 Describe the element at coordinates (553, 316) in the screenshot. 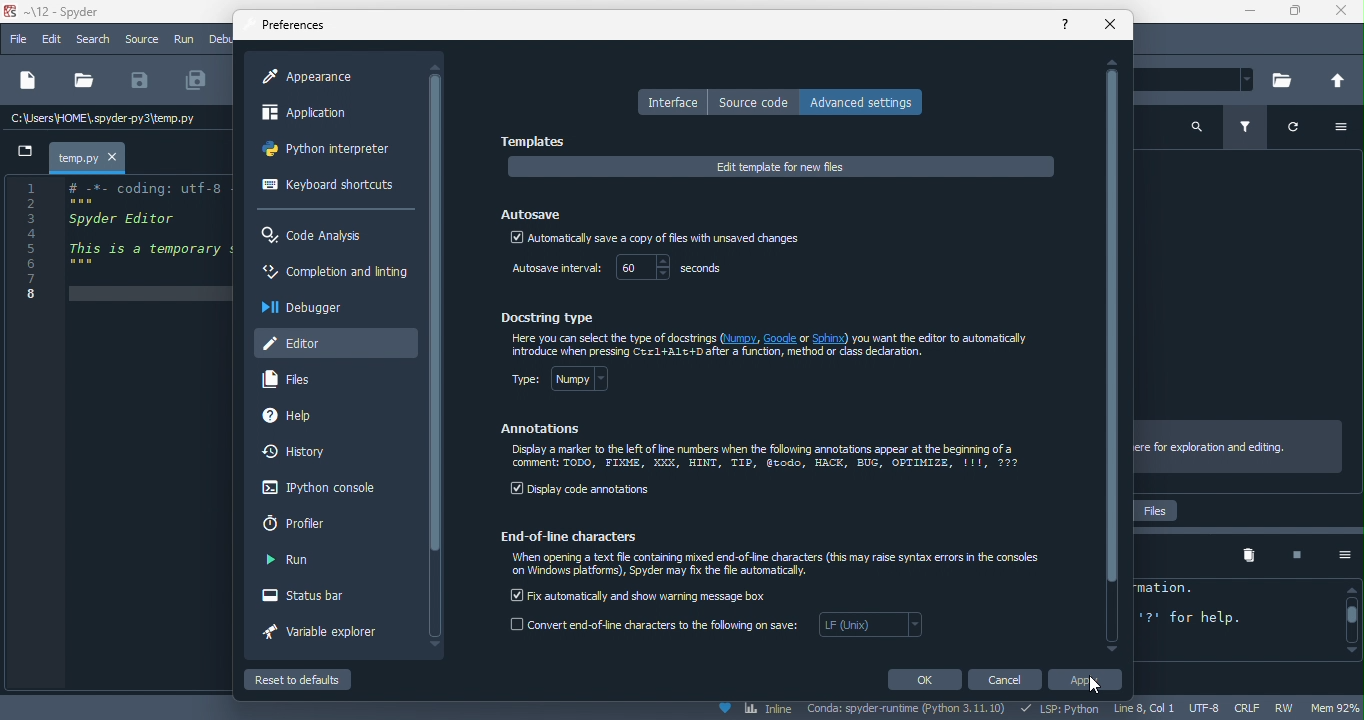

I see `docstring` at that location.